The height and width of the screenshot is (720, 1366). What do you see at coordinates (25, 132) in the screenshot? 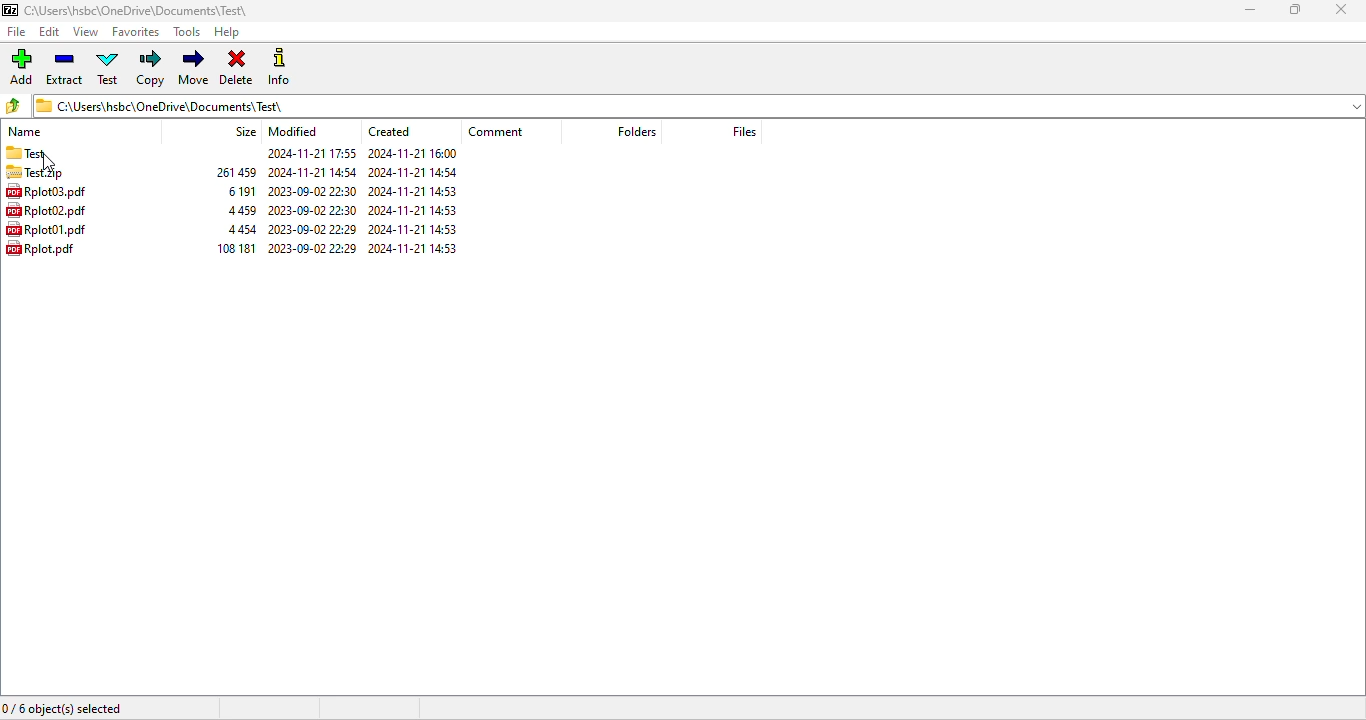
I see `name` at bounding box center [25, 132].